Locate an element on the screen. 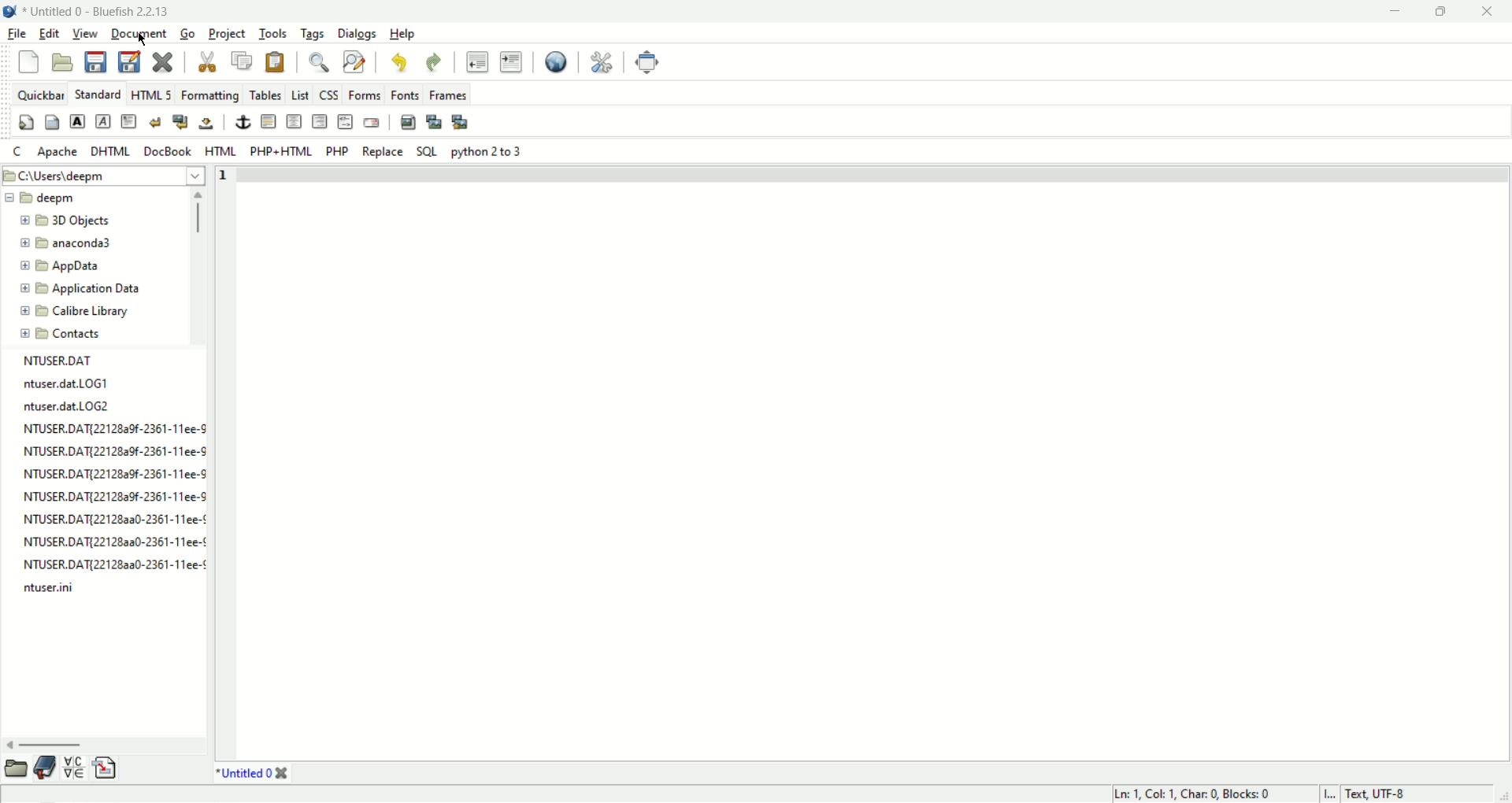 This screenshot has width=1512, height=803. folder name is located at coordinates (52, 198).